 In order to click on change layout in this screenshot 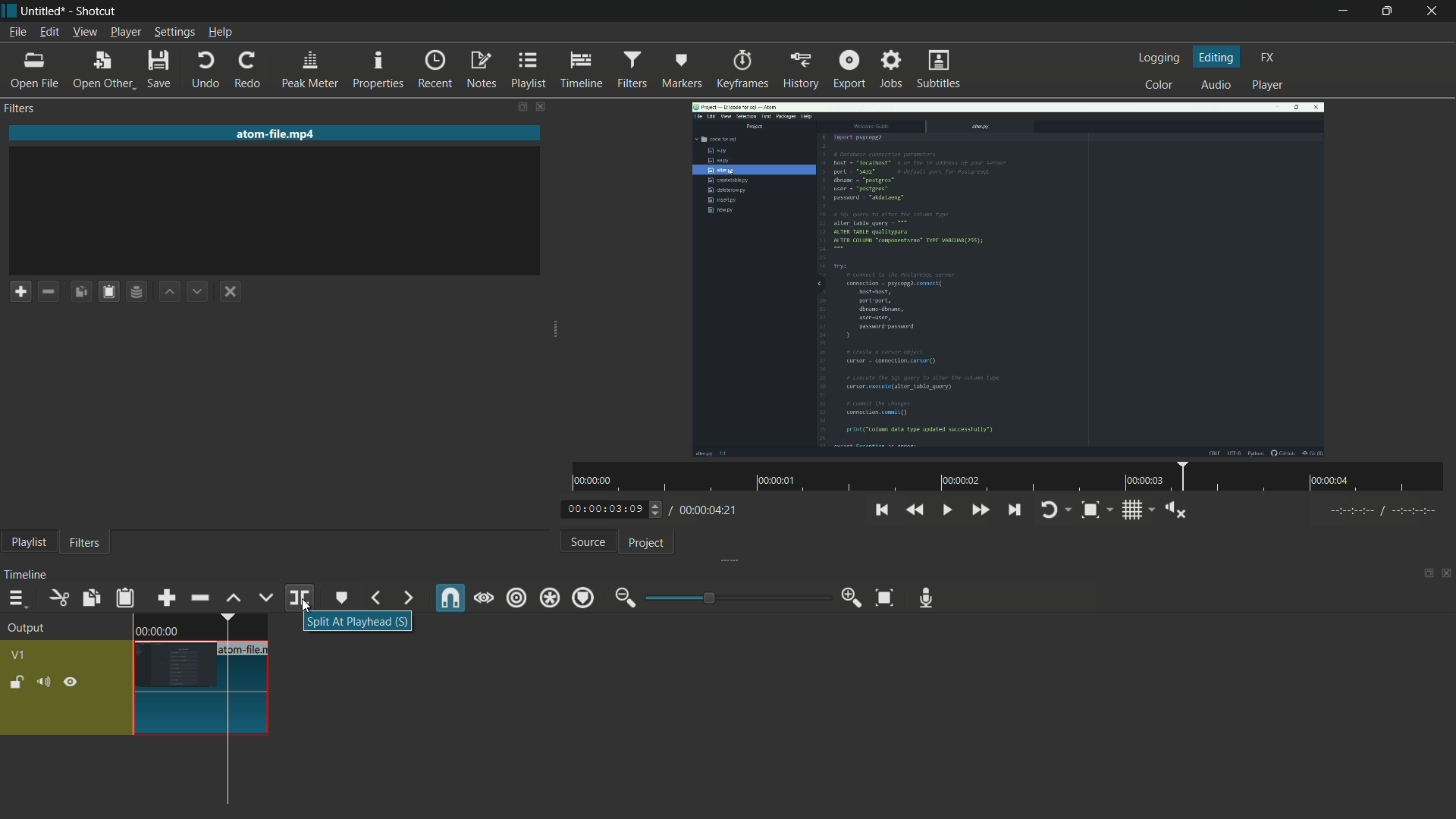, I will do `click(519, 107)`.